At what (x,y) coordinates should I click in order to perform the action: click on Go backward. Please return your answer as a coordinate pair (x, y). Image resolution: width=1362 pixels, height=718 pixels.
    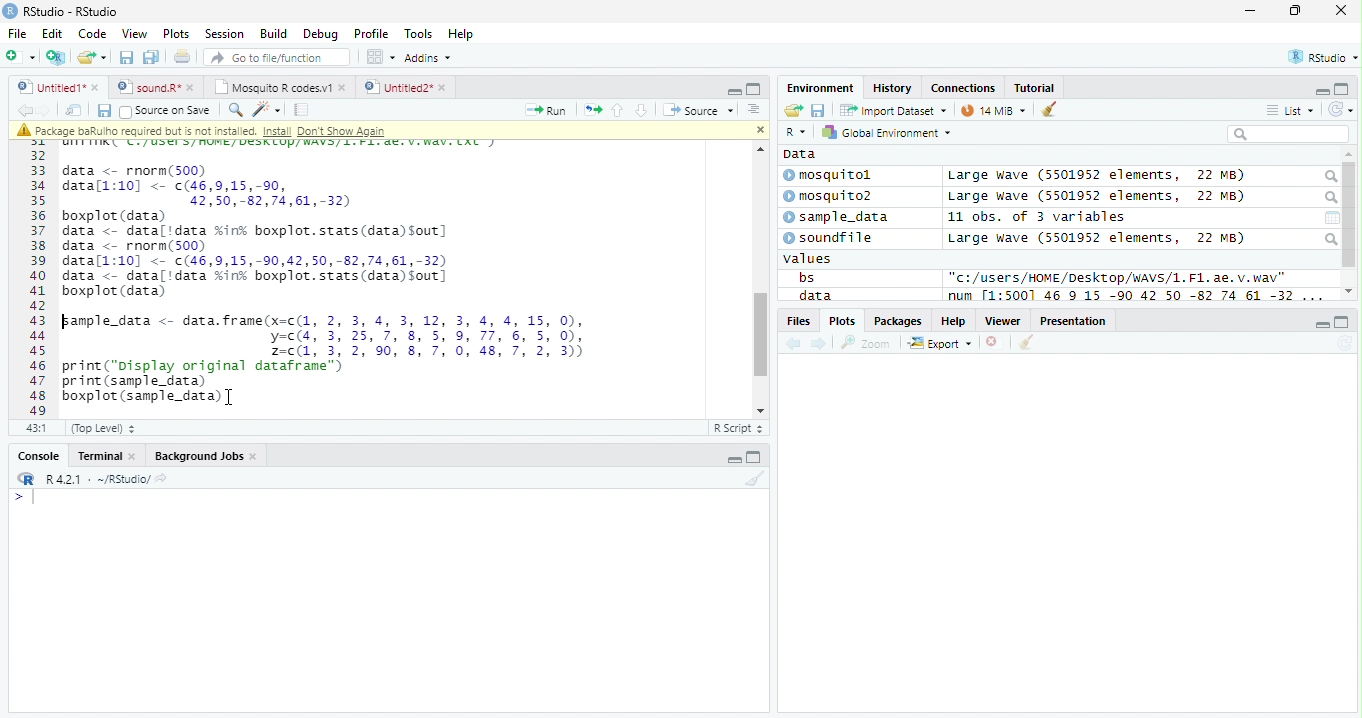
    Looking at the image, I should click on (794, 345).